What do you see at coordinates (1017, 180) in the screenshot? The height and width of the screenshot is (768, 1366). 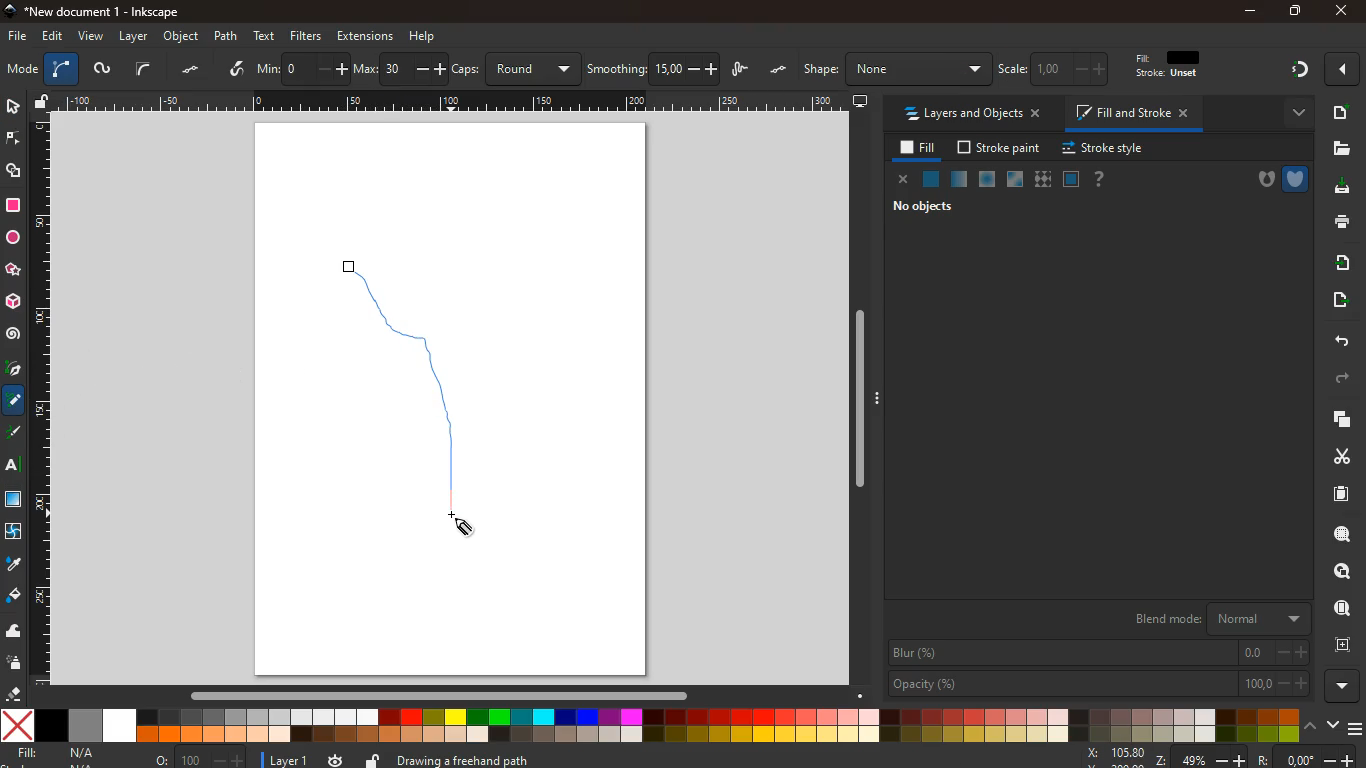 I see `glass` at bounding box center [1017, 180].